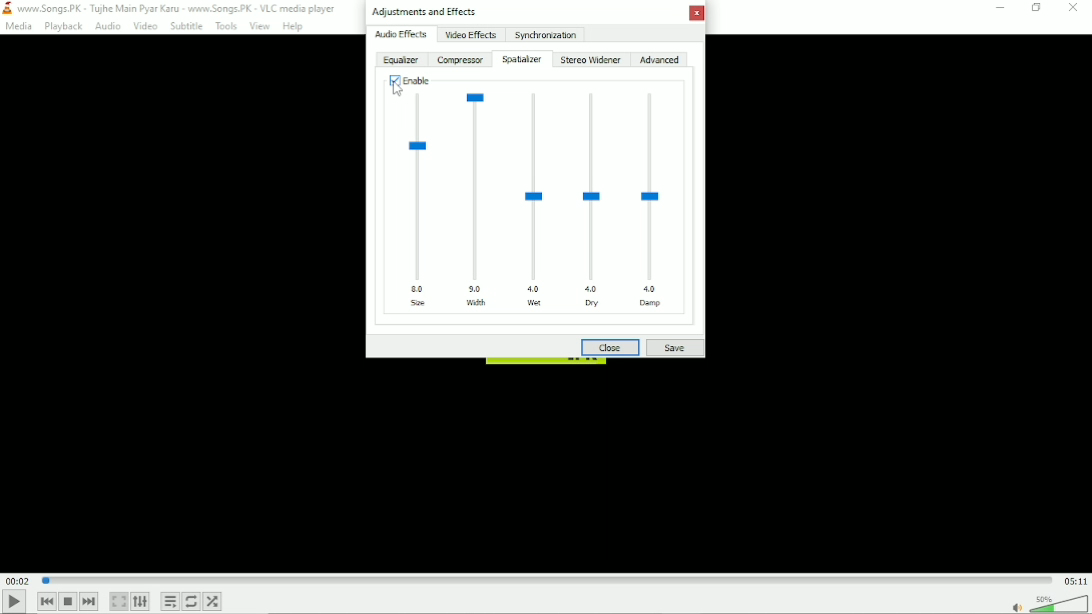 Image resolution: width=1092 pixels, height=614 pixels. Describe the element at coordinates (400, 61) in the screenshot. I see `Equalizer` at that location.